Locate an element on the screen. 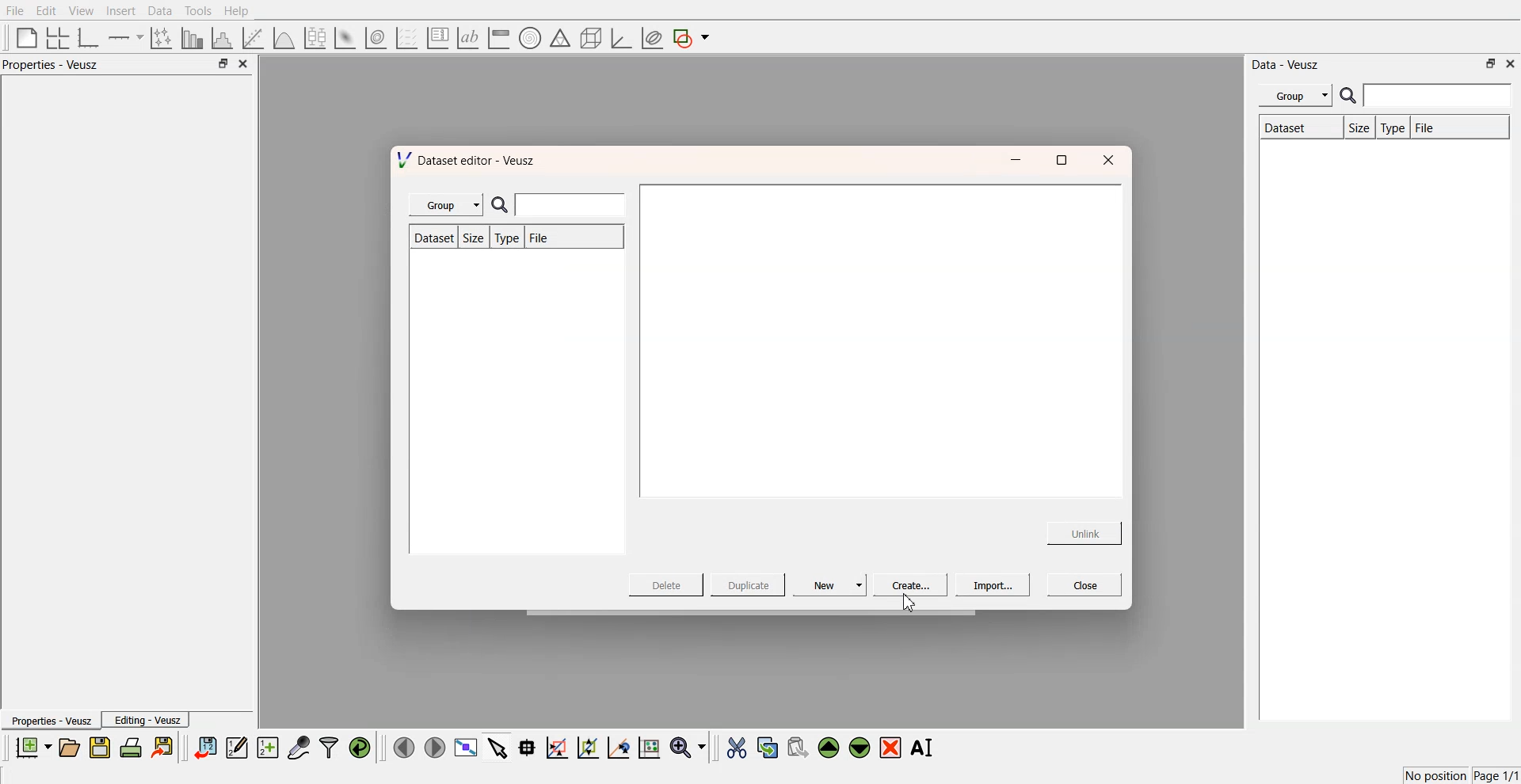 The width and height of the screenshot is (1521, 784). minimise or maximise is located at coordinates (1491, 63).